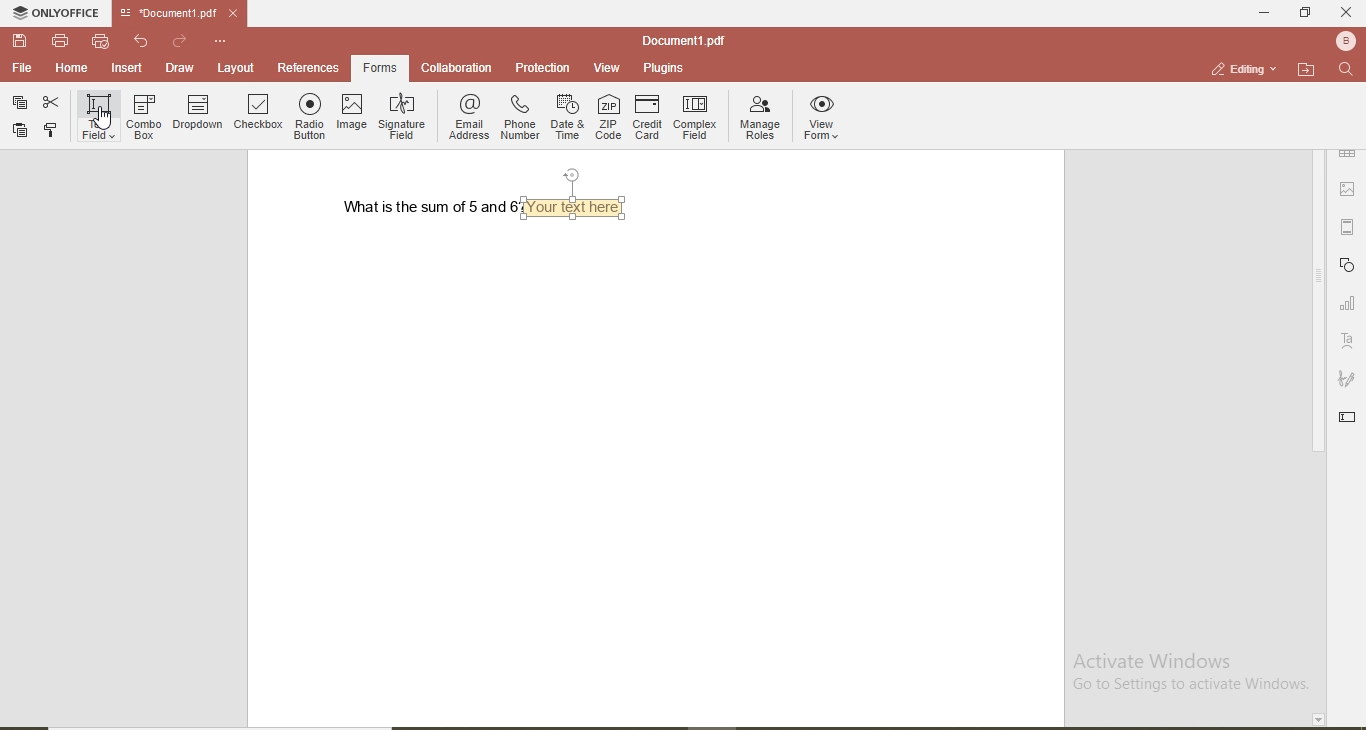 This screenshot has height=730, width=1366. What do you see at coordinates (1302, 68) in the screenshot?
I see `open file loaction` at bounding box center [1302, 68].